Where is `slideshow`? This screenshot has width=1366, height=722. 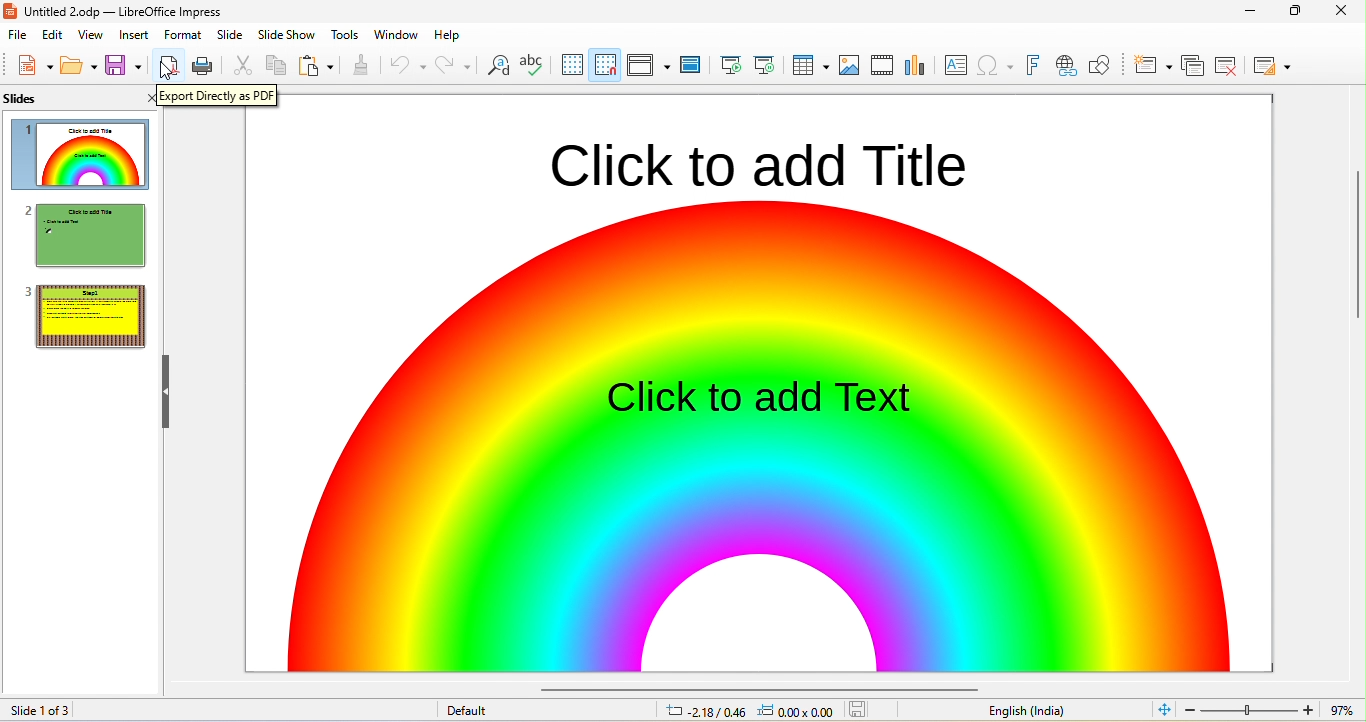 slideshow is located at coordinates (287, 35).